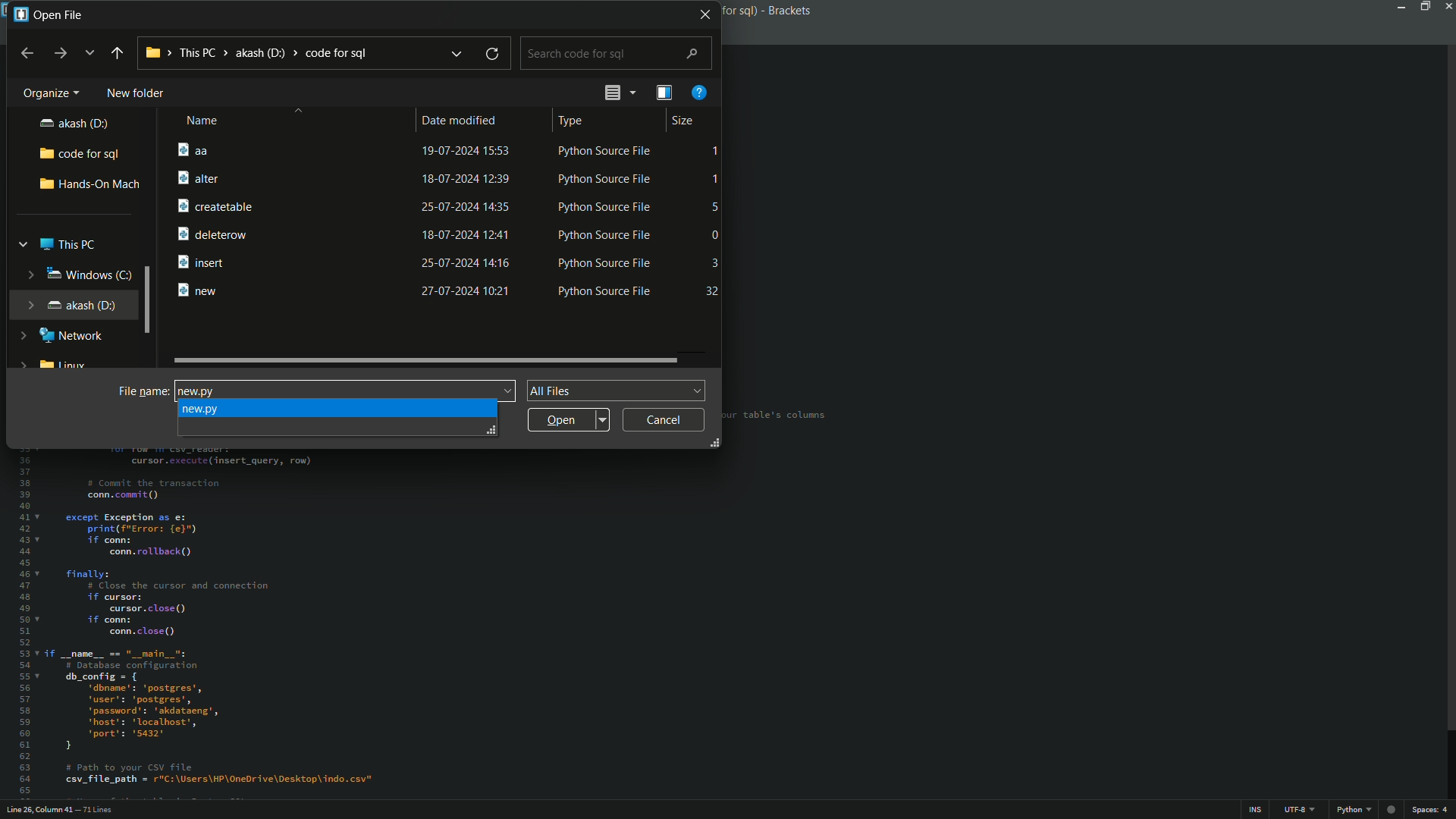 The image size is (1456, 819). Describe the element at coordinates (608, 262) in the screenshot. I see `Python Source File` at that location.